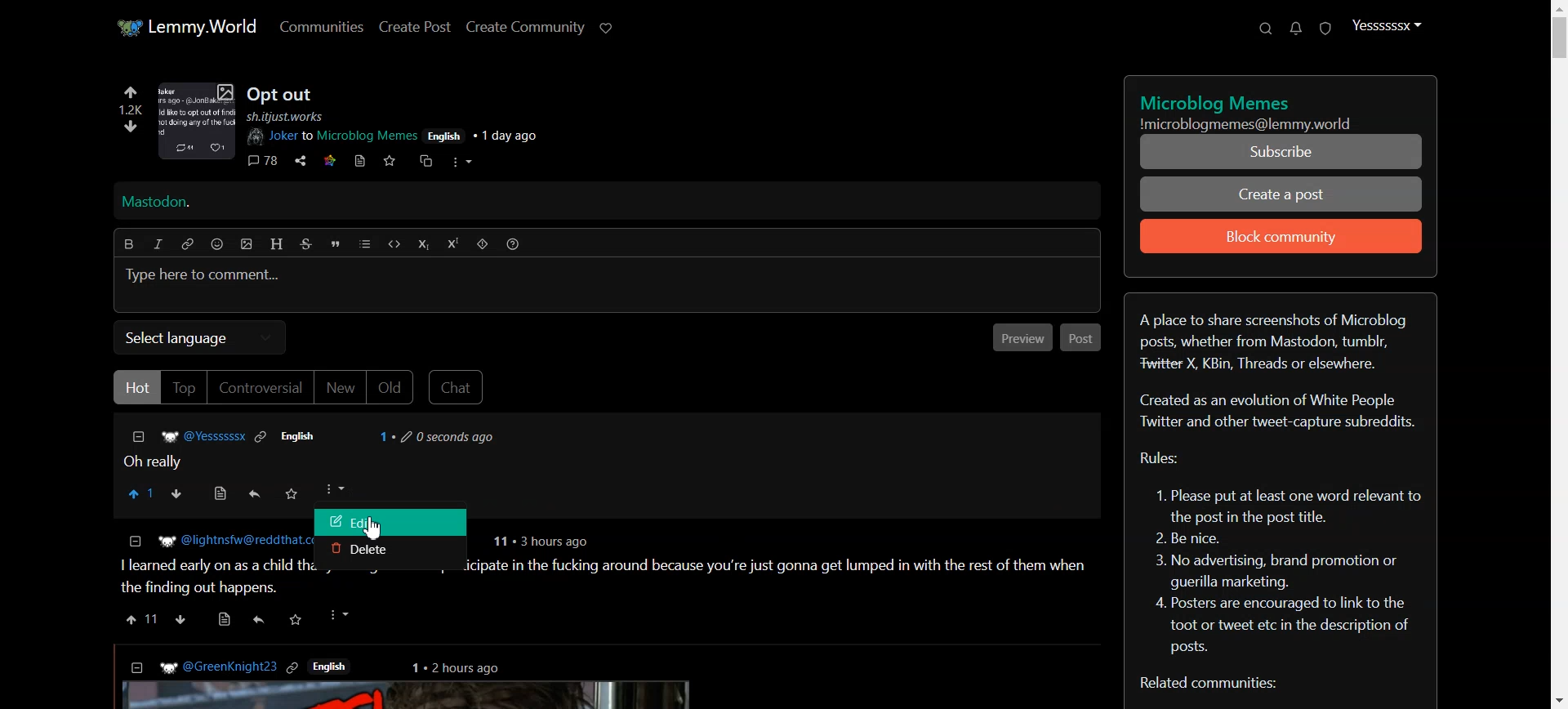  What do you see at coordinates (141, 618) in the screenshot?
I see `upvote` at bounding box center [141, 618].